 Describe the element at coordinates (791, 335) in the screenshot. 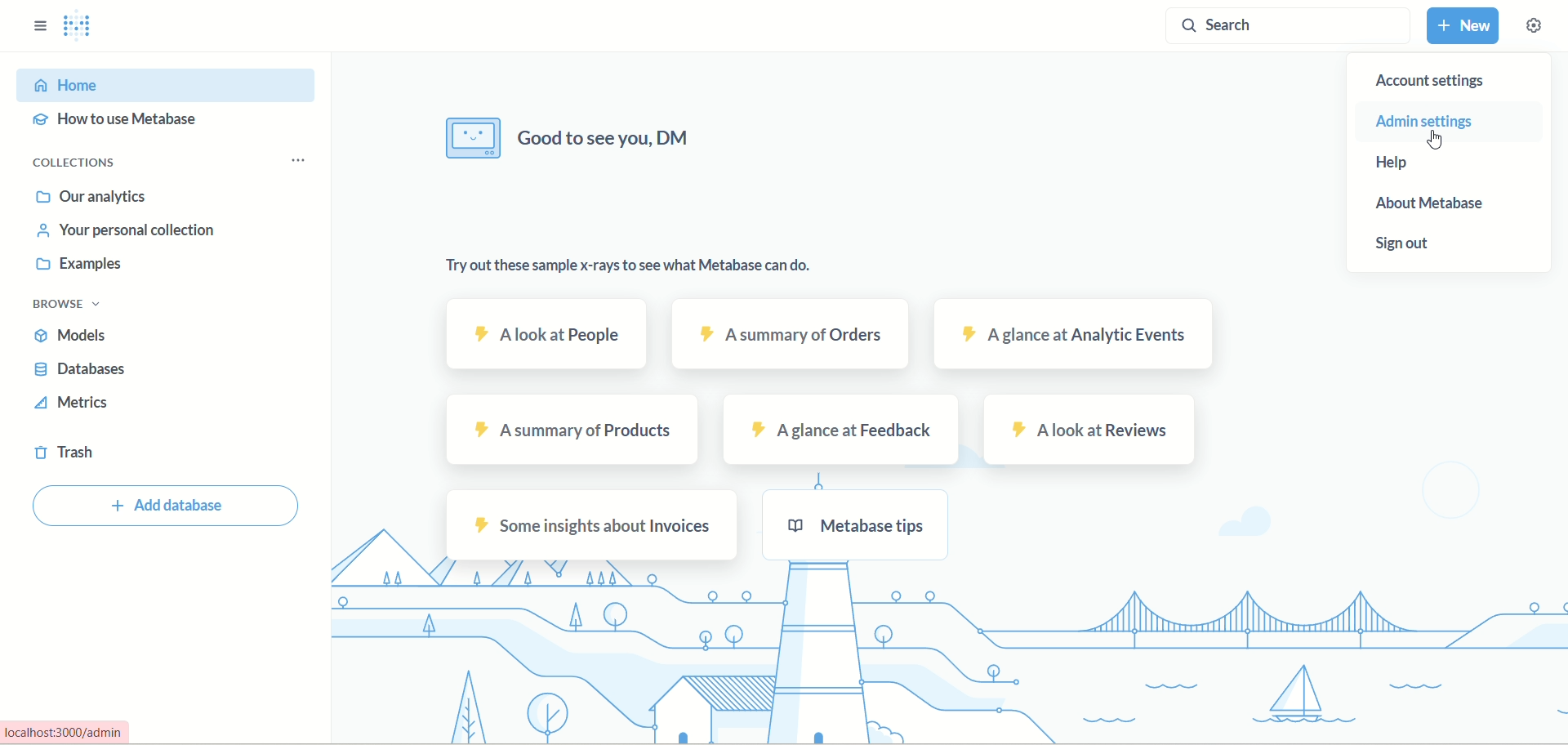

I see `orders` at that location.